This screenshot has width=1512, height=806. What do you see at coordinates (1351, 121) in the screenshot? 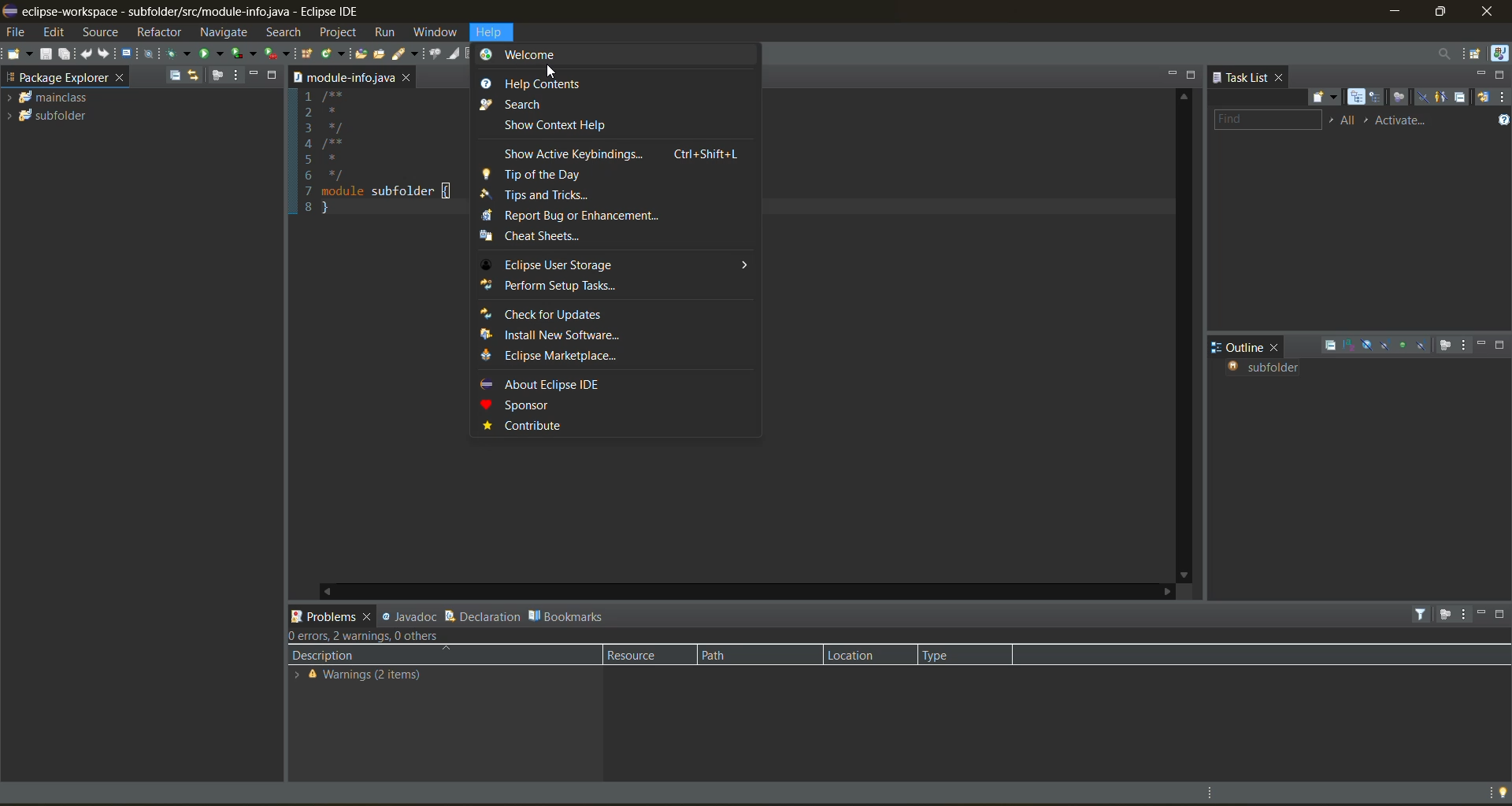
I see `edit task working sets` at bounding box center [1351, 121].